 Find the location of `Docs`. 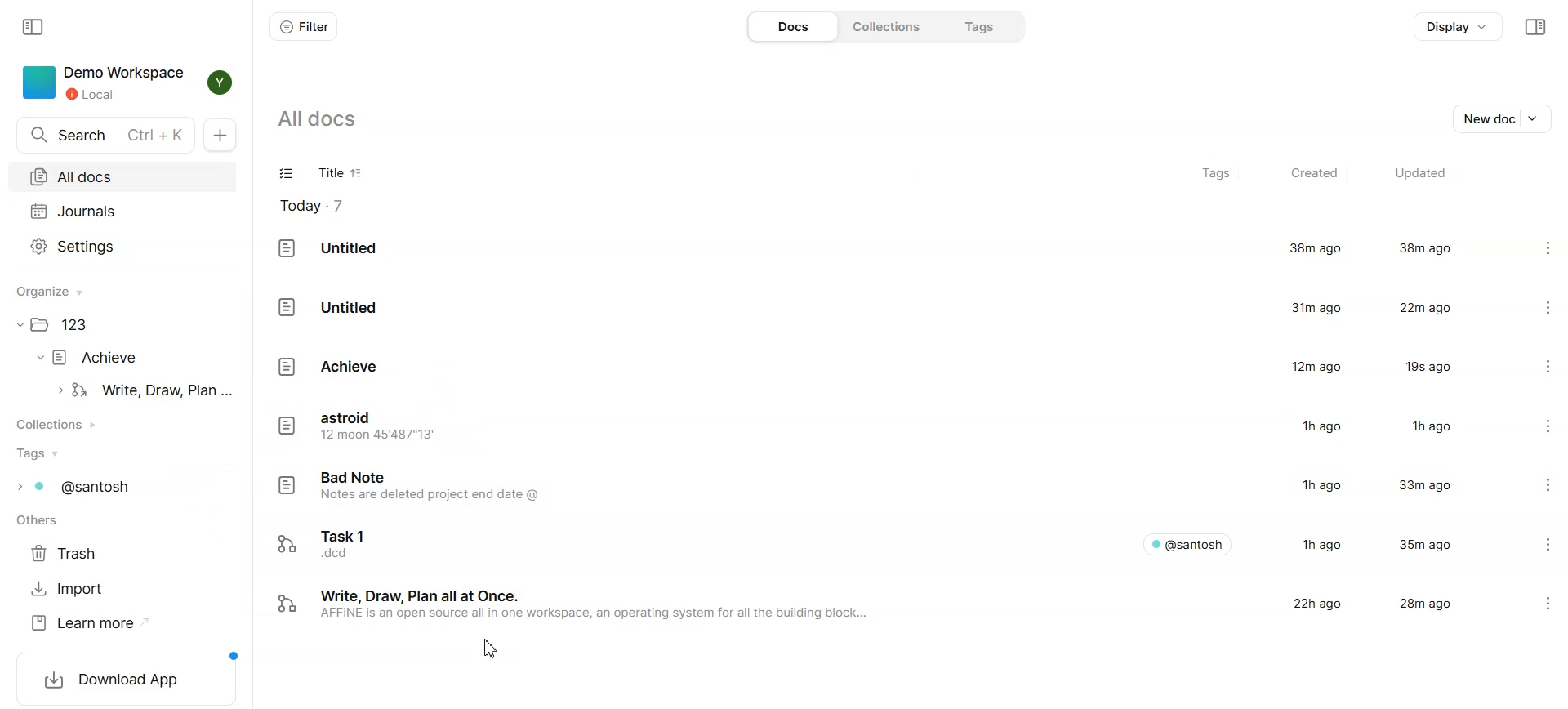

Docs is located at coordinates (791, 26).